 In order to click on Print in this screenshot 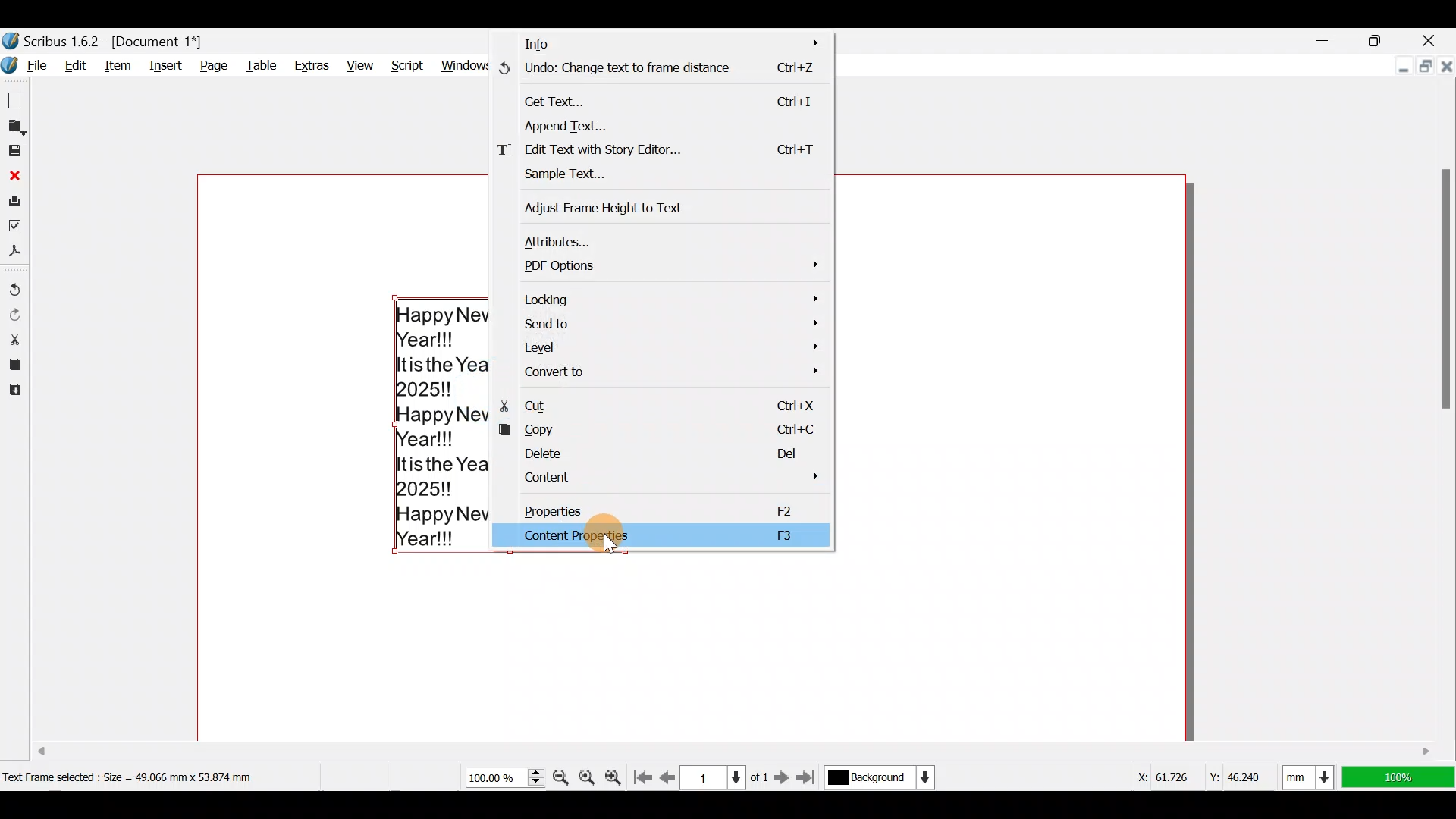, I will do `click(15, 200)`.